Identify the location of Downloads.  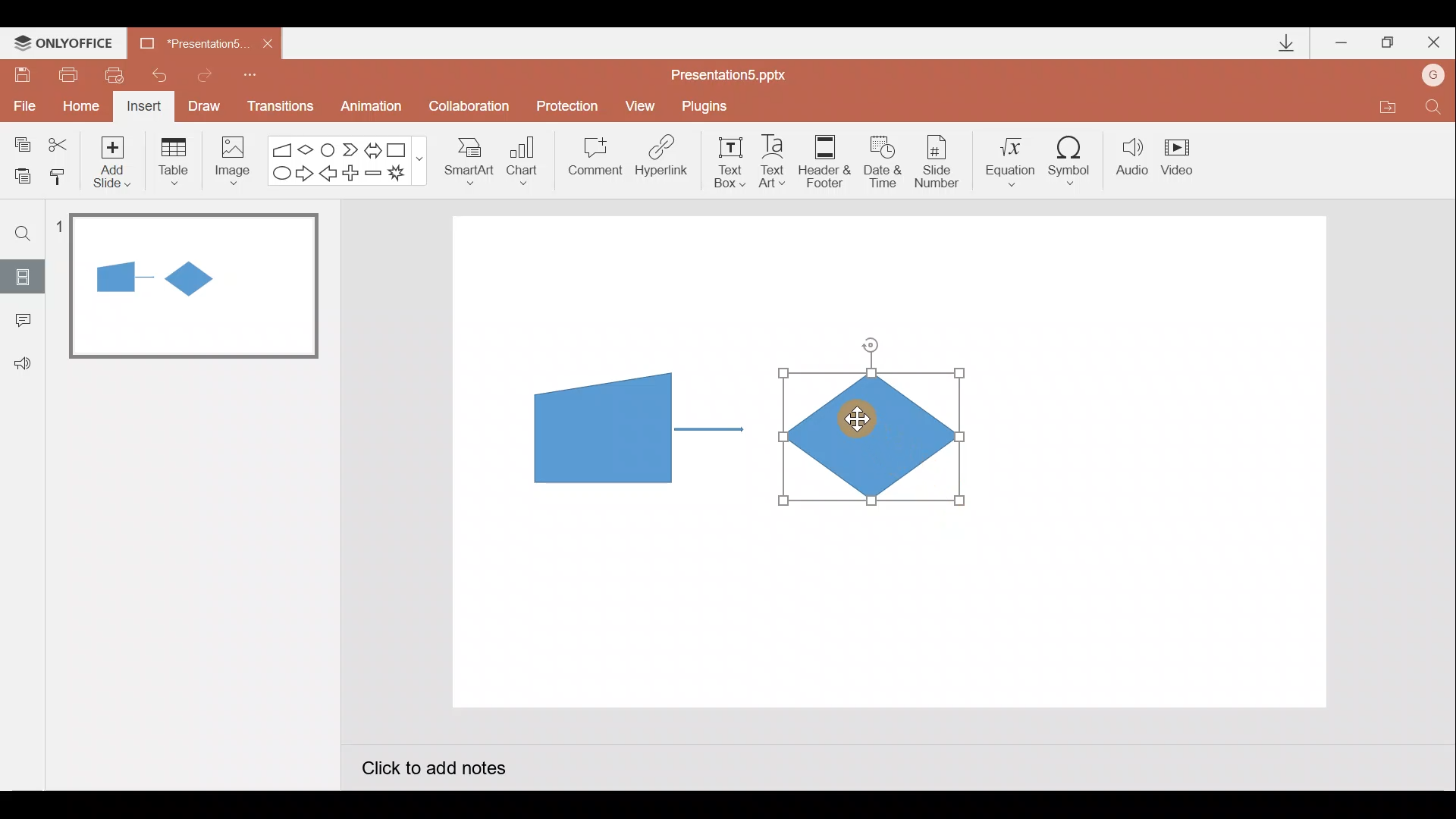
(1284, 44).